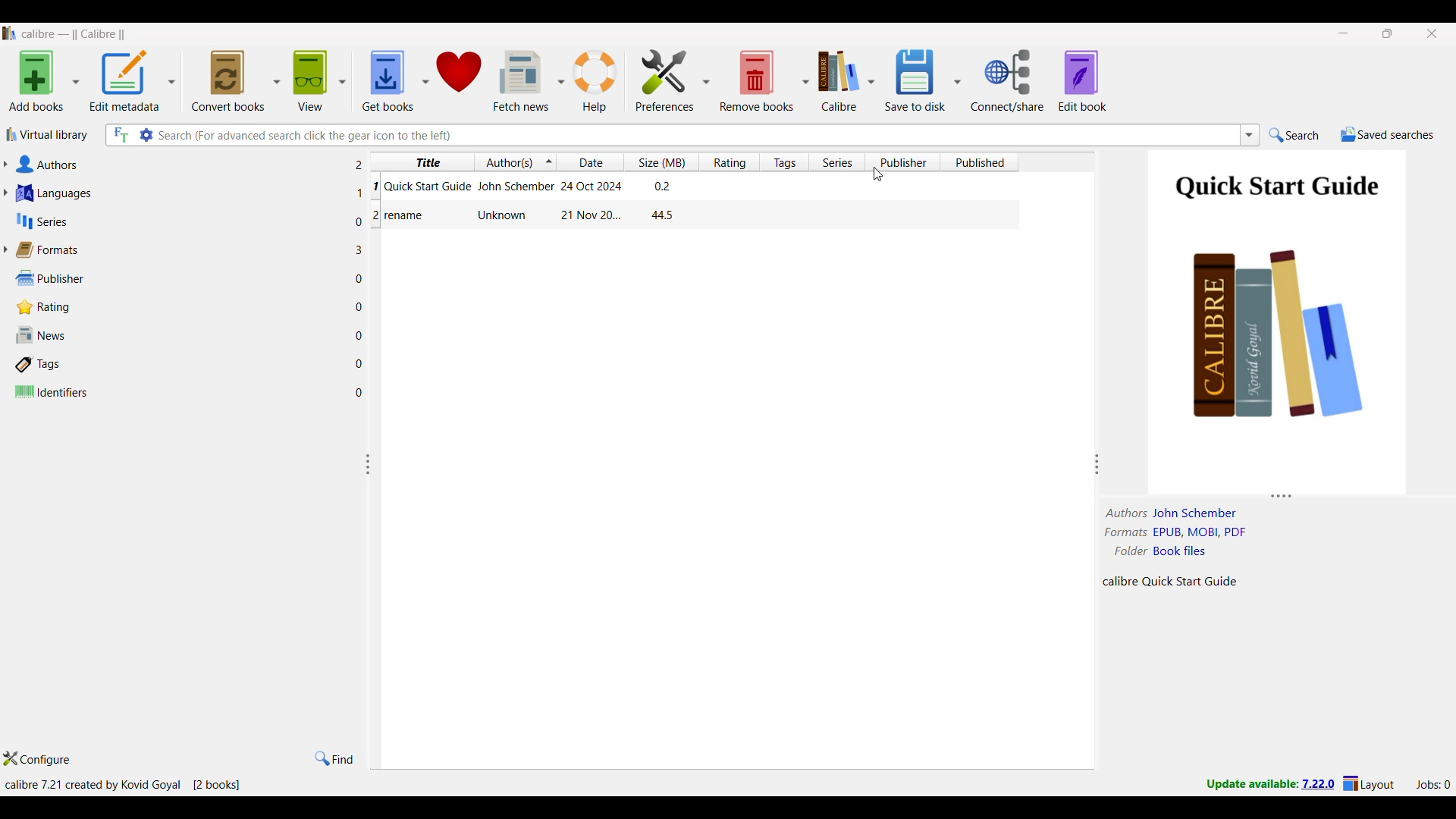 This screenshot has height=819, width=1456. I want to click on Close interface, so click(1432, 33).